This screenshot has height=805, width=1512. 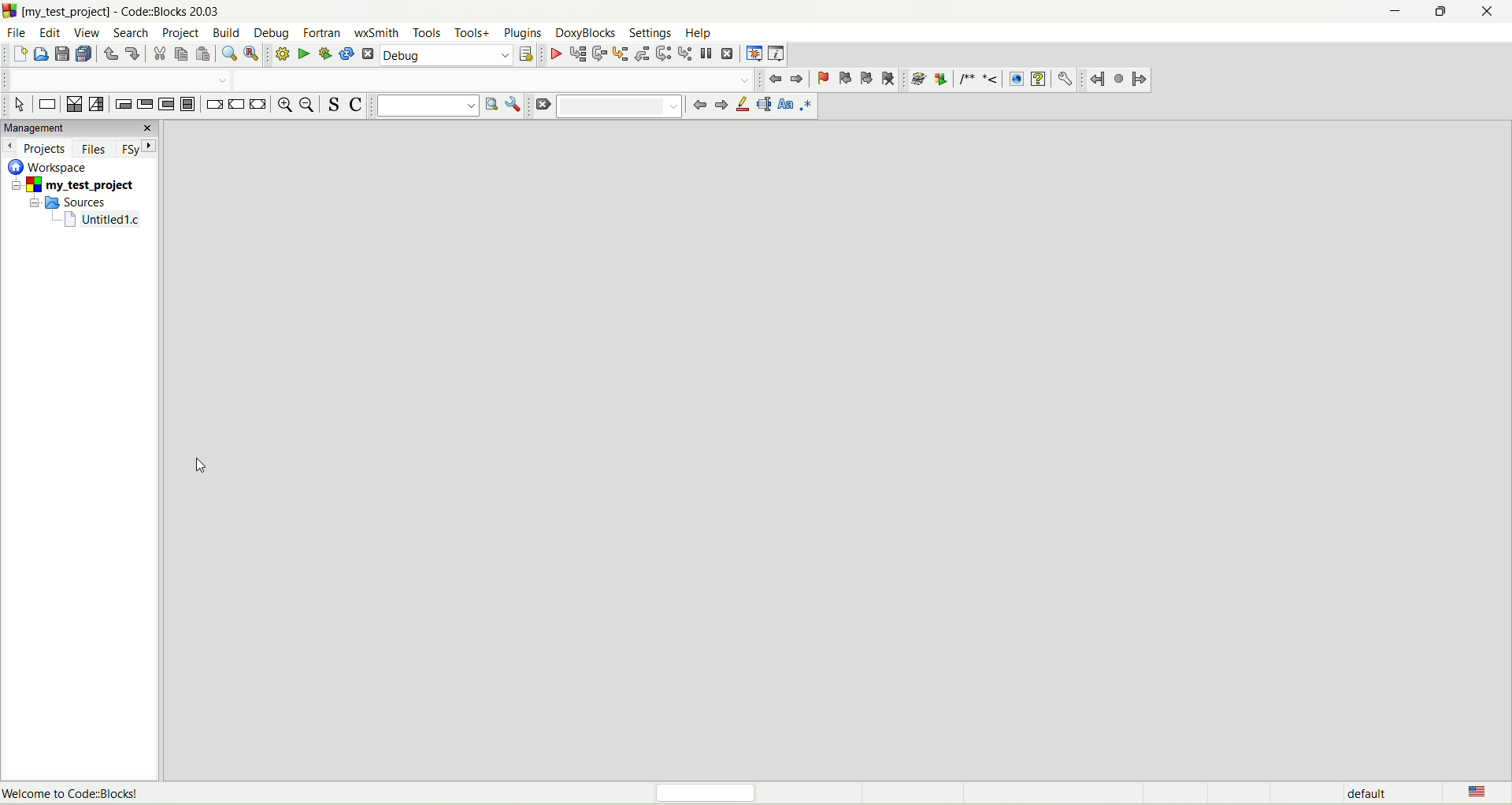 What do you see at coordinates (980, 78) in the screenshot?
I see `comments` at bounding box center [980, 78].